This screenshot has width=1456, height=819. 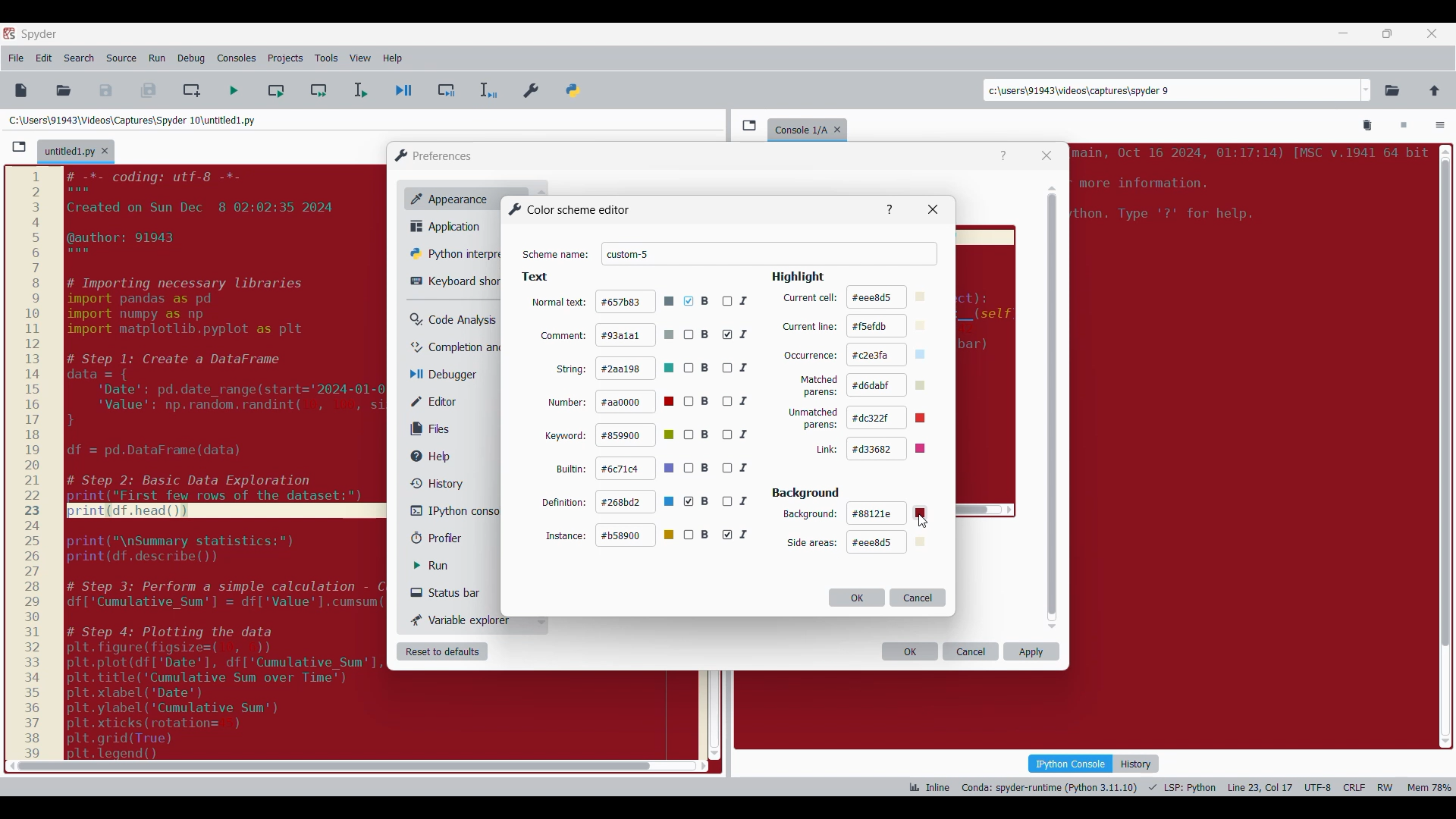 What do you see at coordinates (736, 367) in the screenshot?
I see `I` at bounding box center [736, 367].